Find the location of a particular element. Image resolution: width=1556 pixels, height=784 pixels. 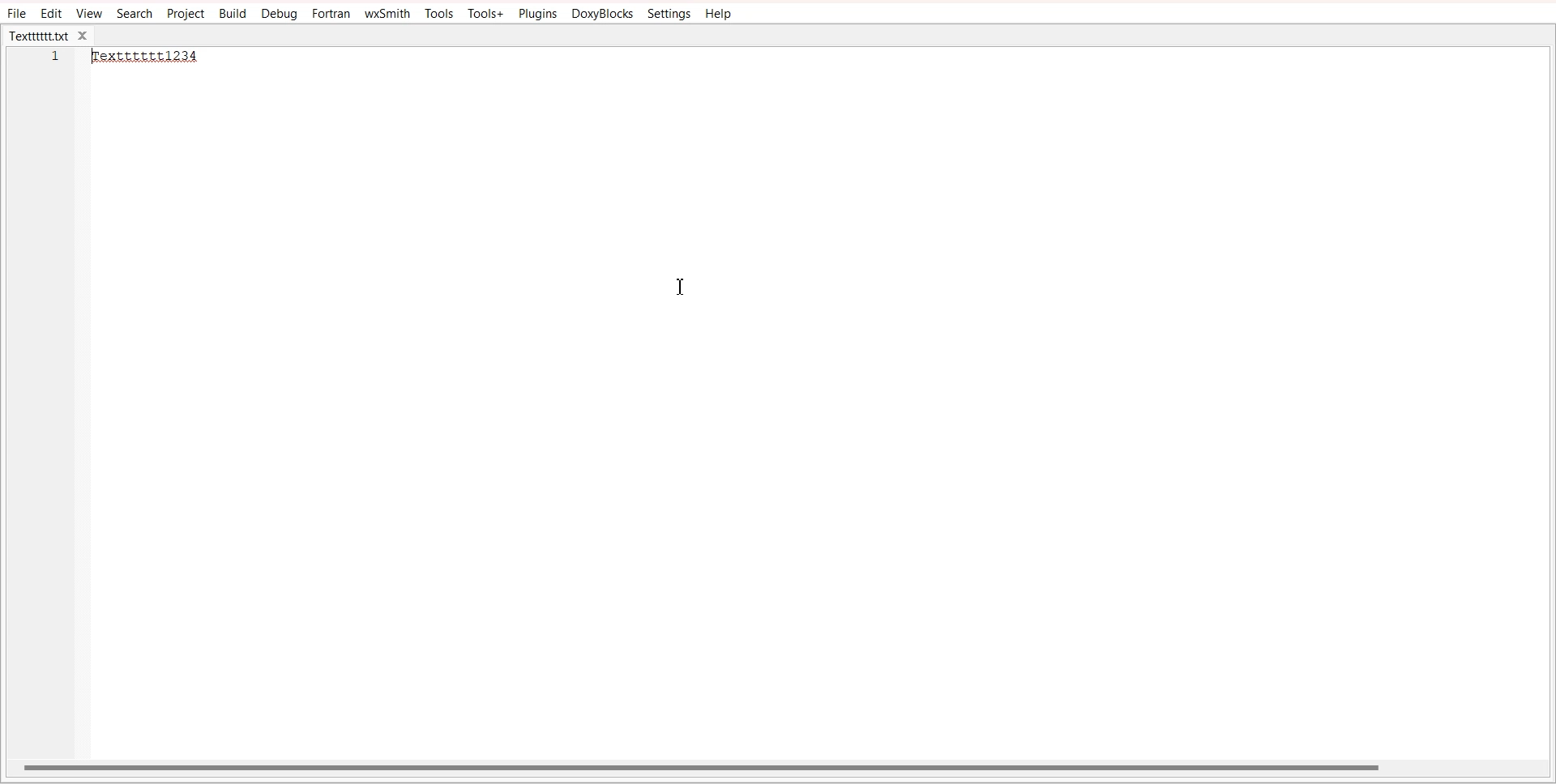

DoxyBlocks is located at coordinates (601, 13).